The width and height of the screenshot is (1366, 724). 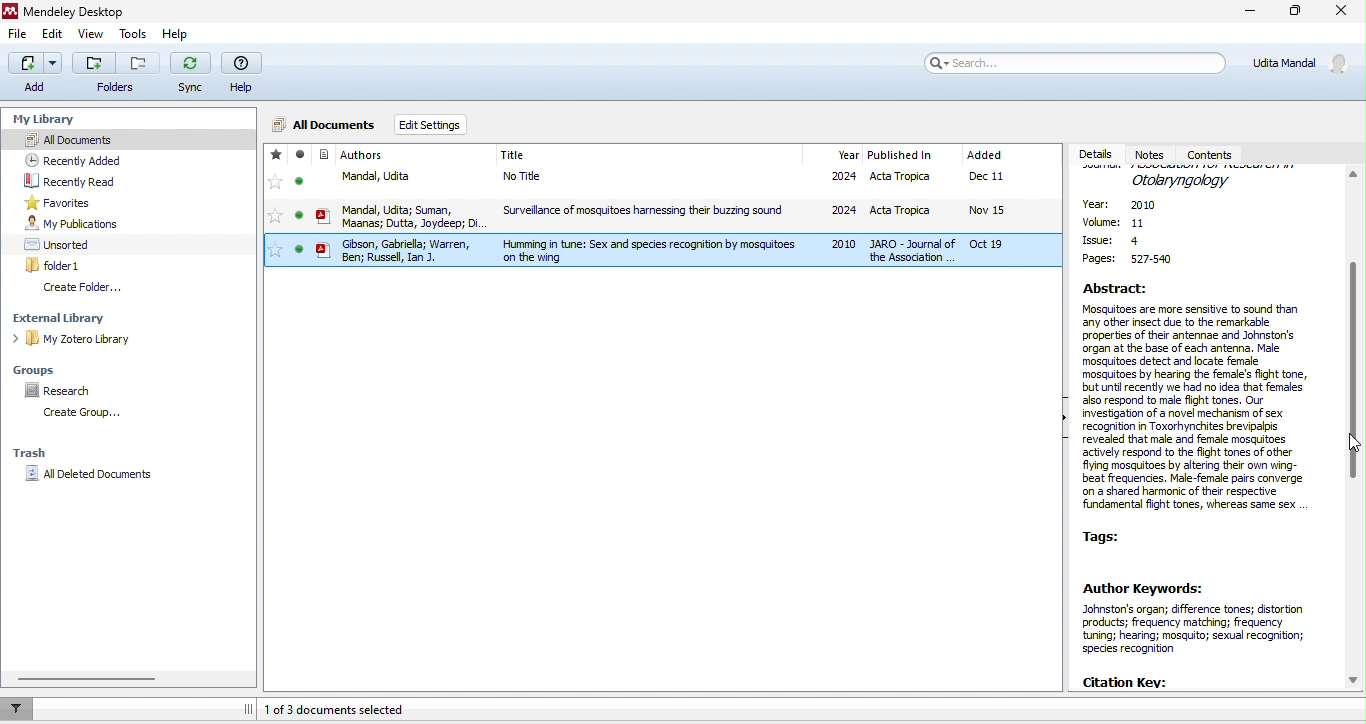 What do you see at coordinates (47, 116) in the screenshot?
I see `my library` at bounding box center [47, 116].